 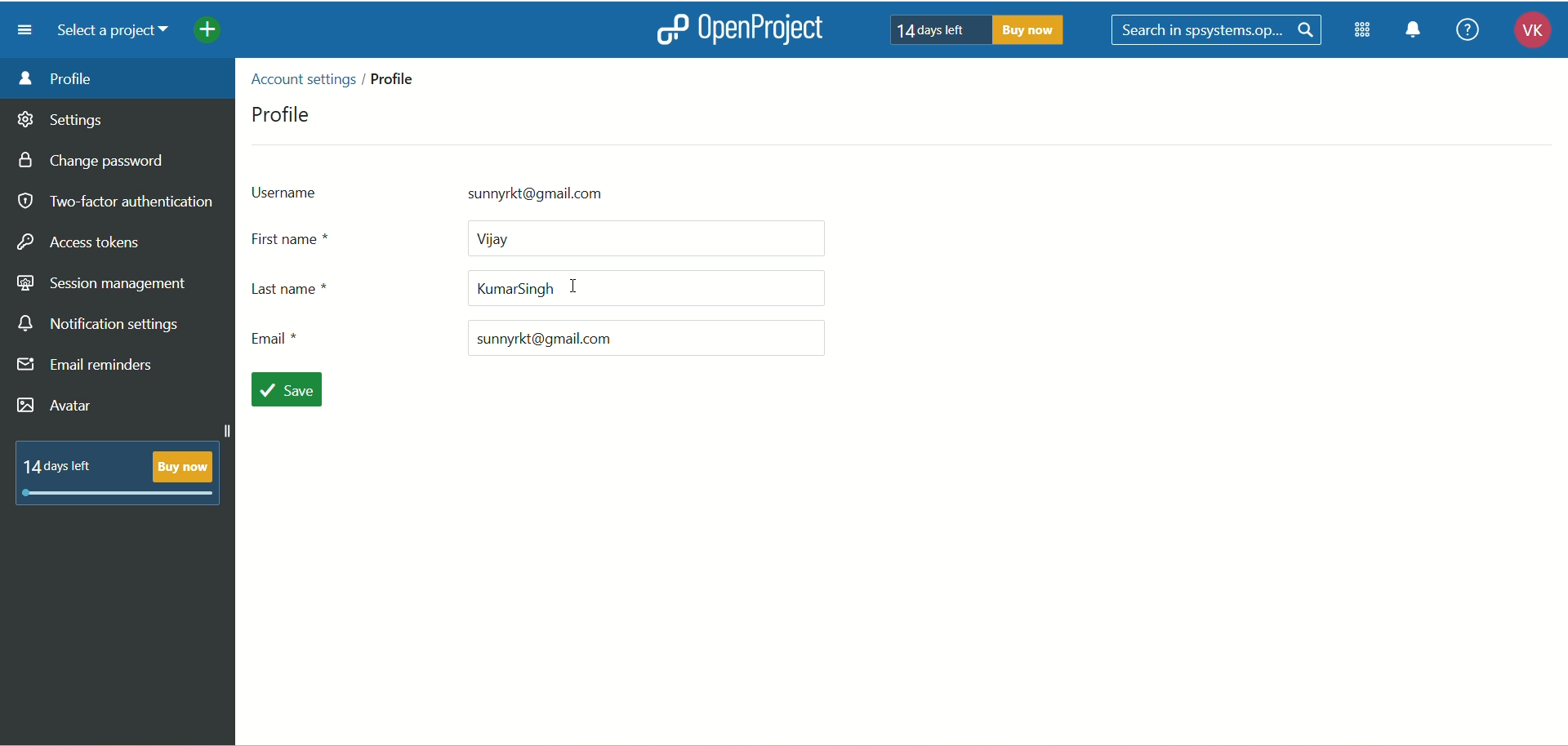 I want to click on email, so click(x=533, y=338).